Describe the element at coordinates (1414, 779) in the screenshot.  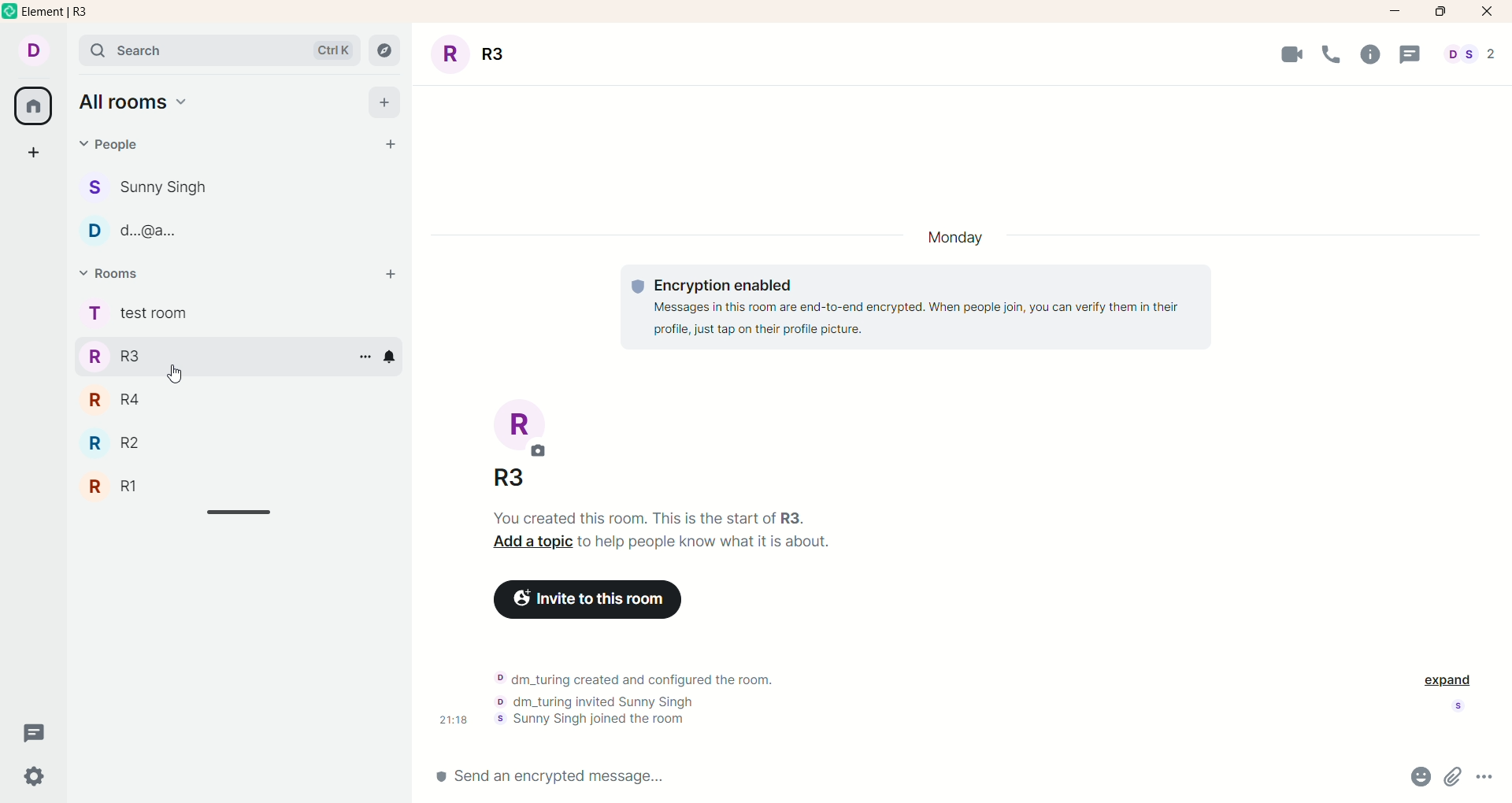
I see `emojis` at that location.